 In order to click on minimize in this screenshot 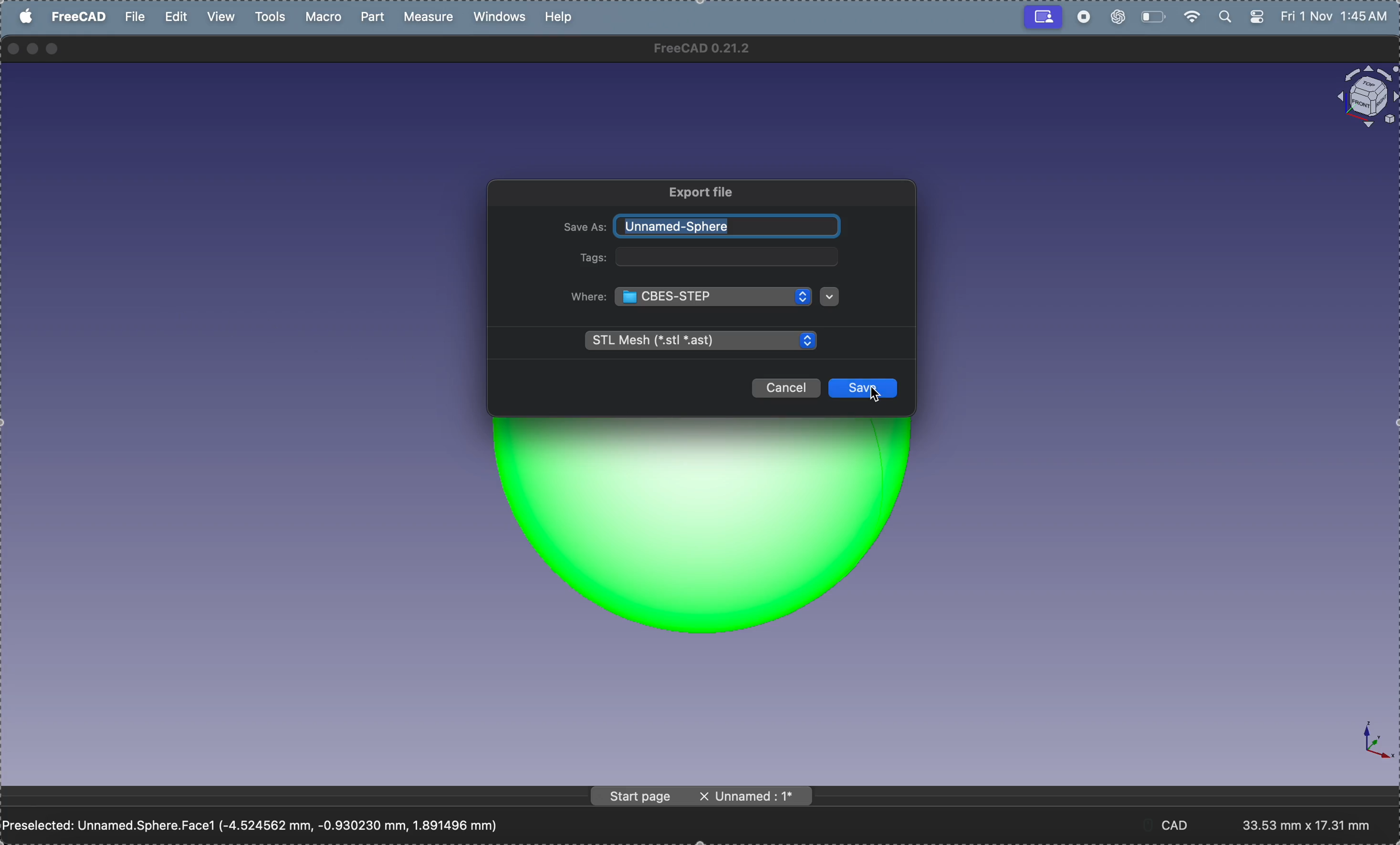, I will do `click(33, 48)`.